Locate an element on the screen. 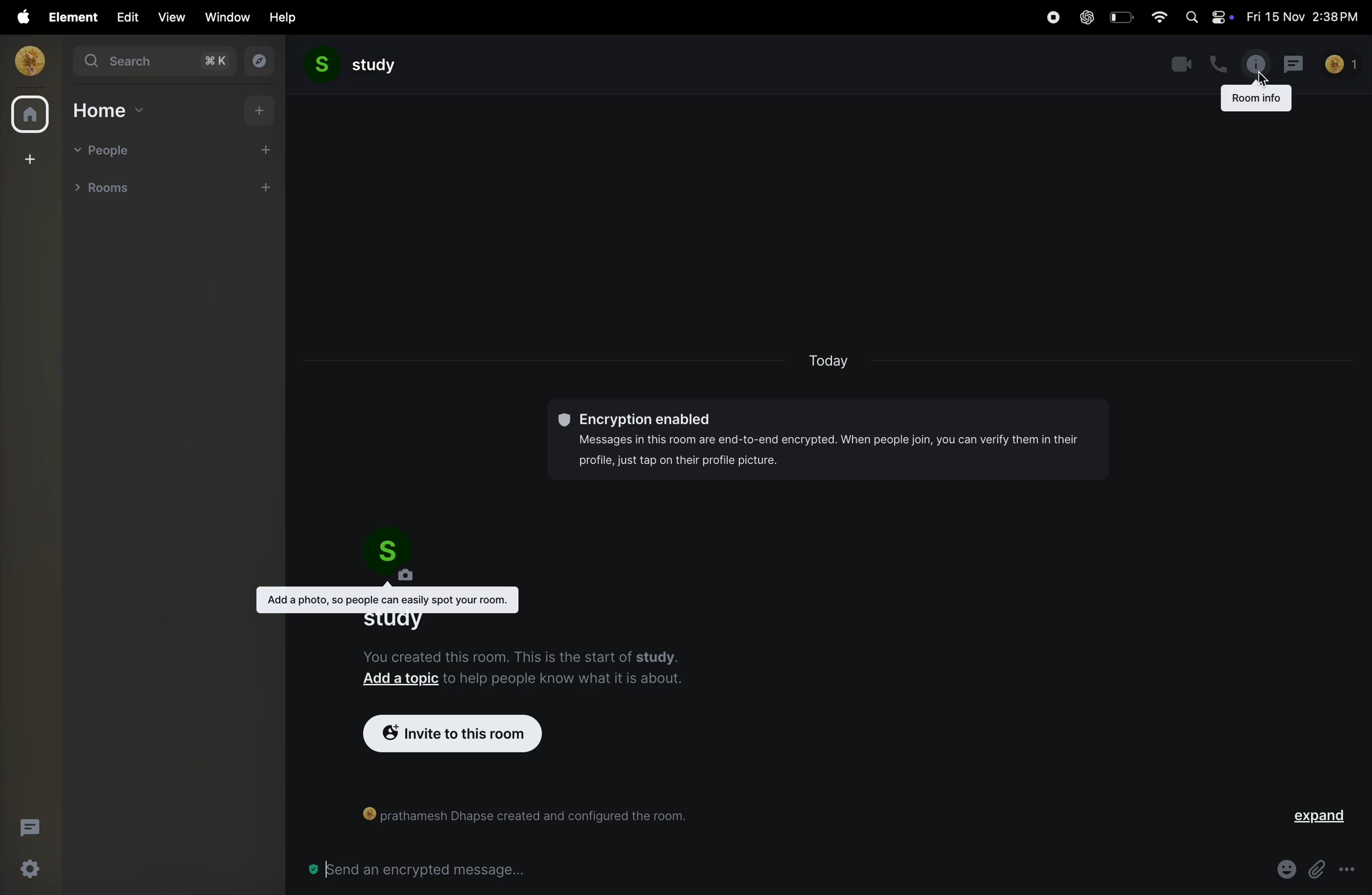  view is located at coordinates (170, 17).